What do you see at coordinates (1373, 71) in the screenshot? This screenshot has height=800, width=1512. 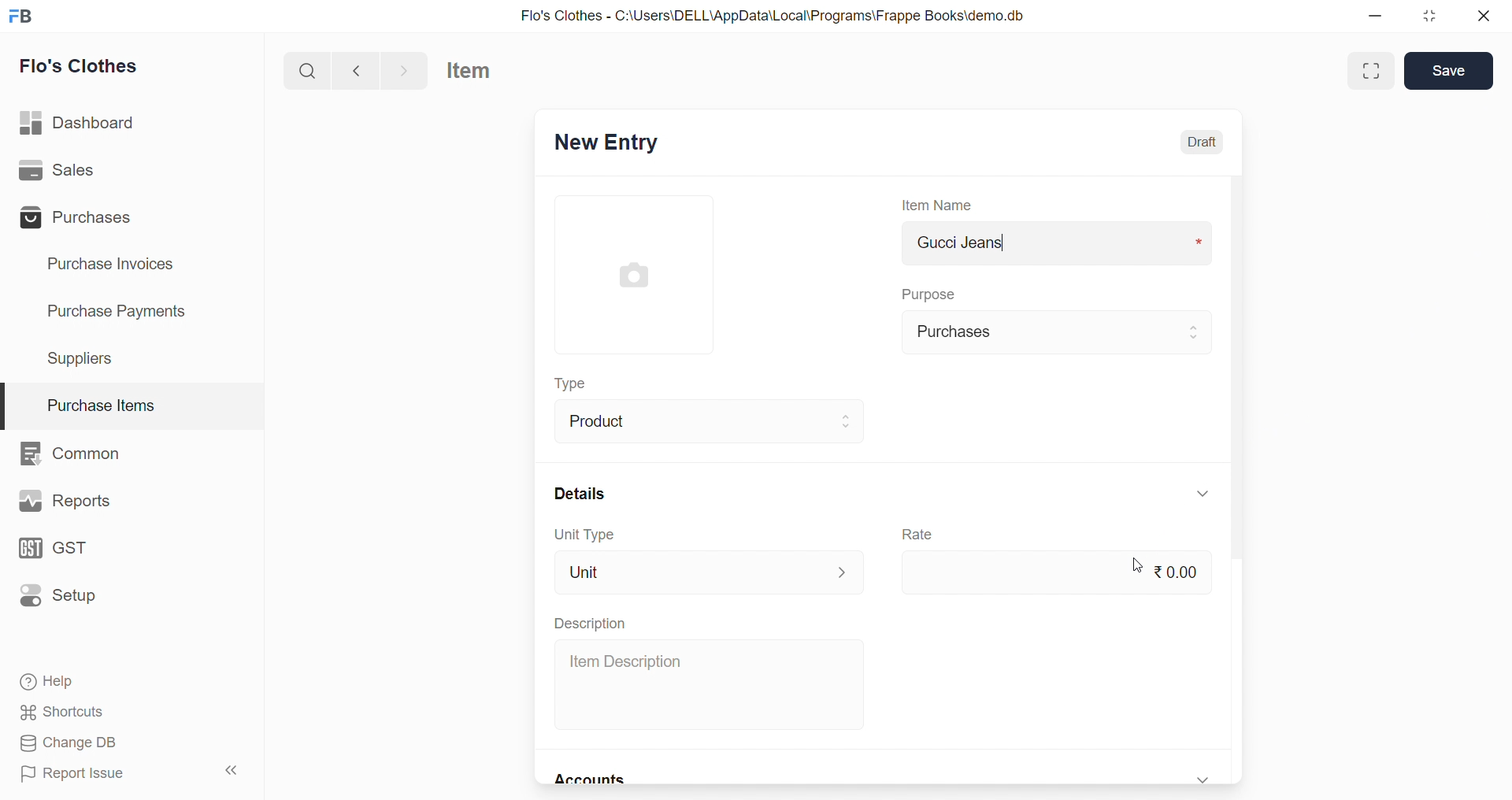 I see `Maximize window` at bounding box center [1373, 71].